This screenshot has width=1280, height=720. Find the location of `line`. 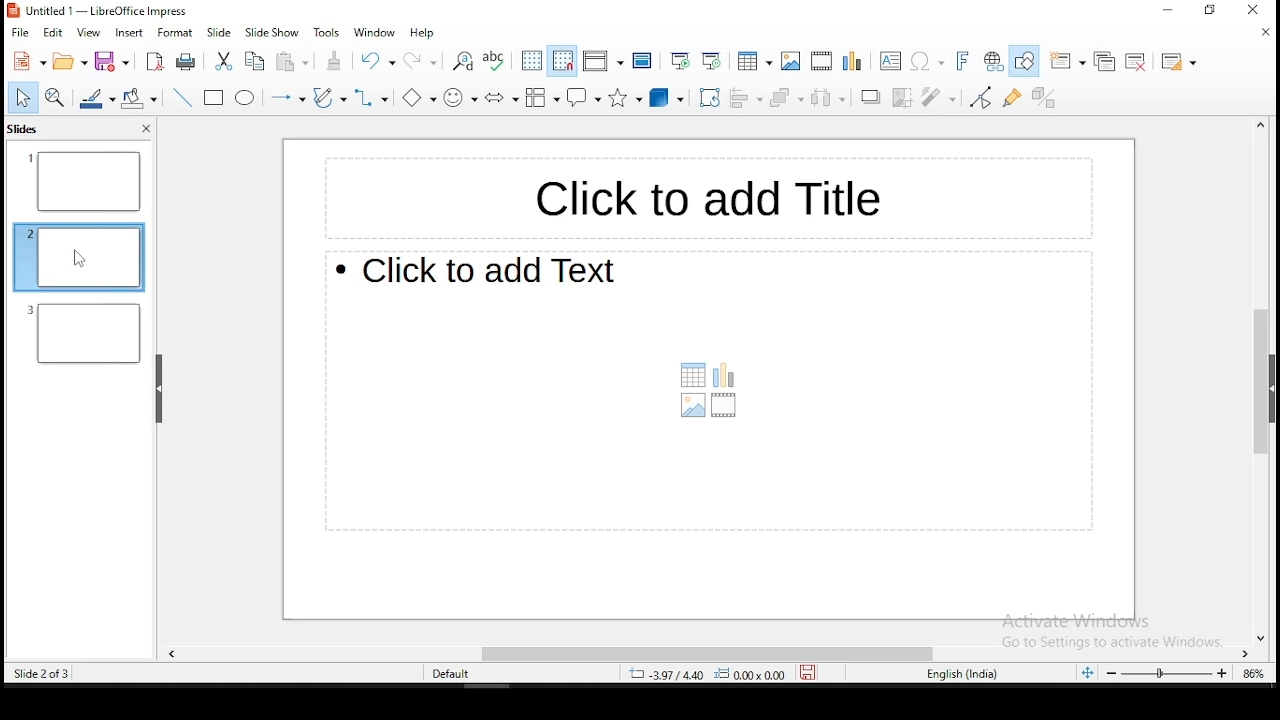

line is located at coordinates (184, 98).